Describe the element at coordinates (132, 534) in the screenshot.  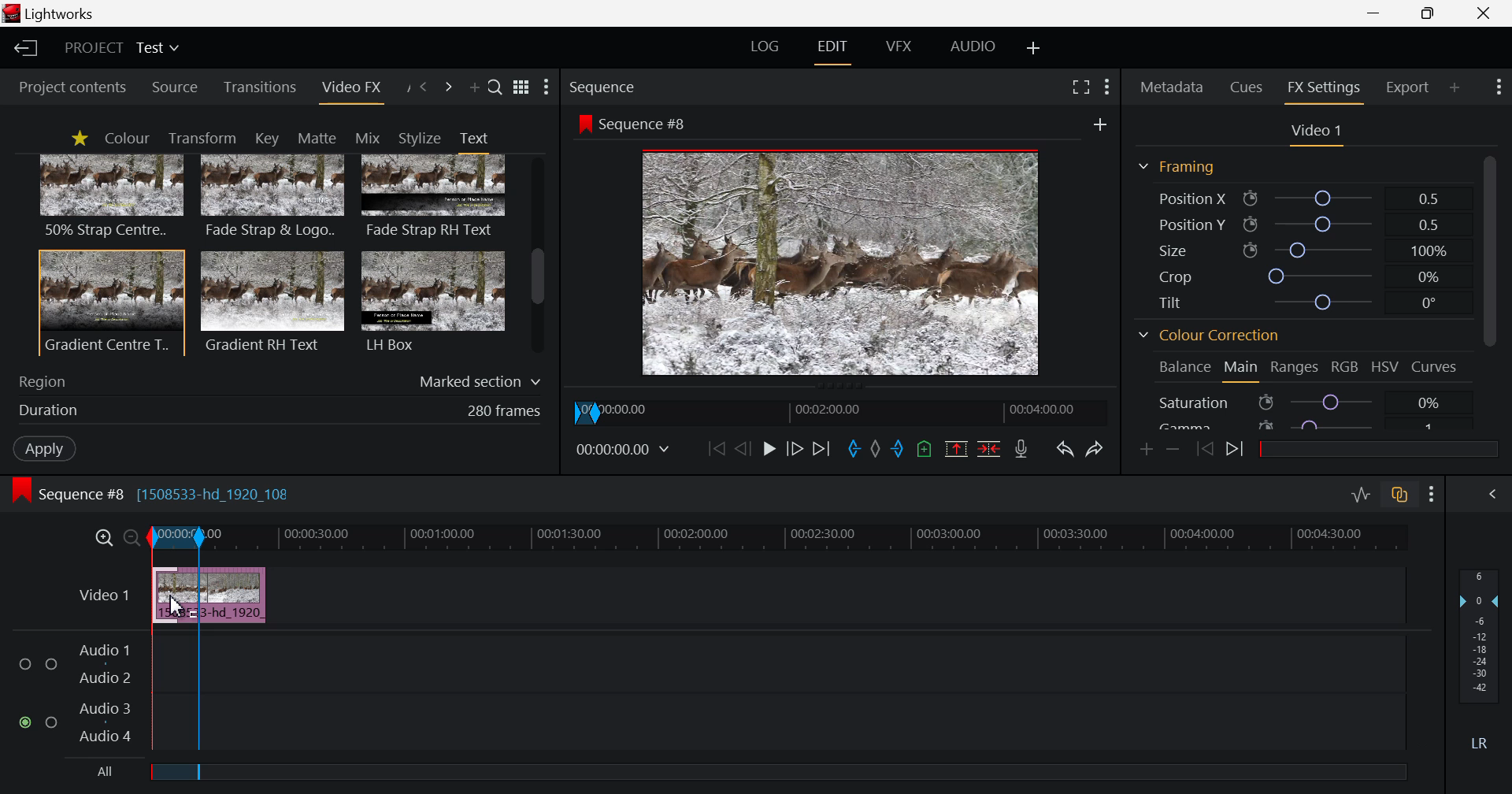
I see `Timeline Zoom Out` at that location.